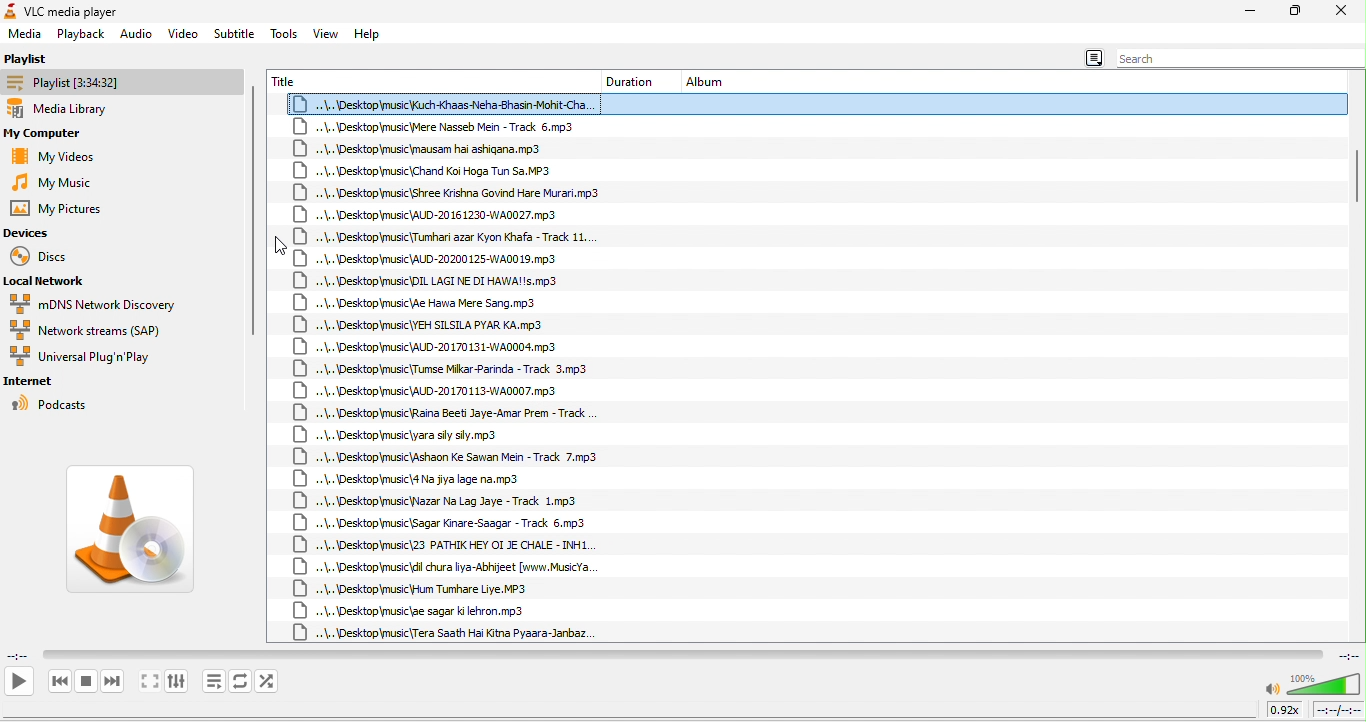 Image resolution: width=1366 pixels, height=722 pixels. What do you see at coordinates (427, 214) in the screenshot?
I see `\..\Desktop\music\AUD-20161230-WA0027.mp3` at bounding box center [427, 214].